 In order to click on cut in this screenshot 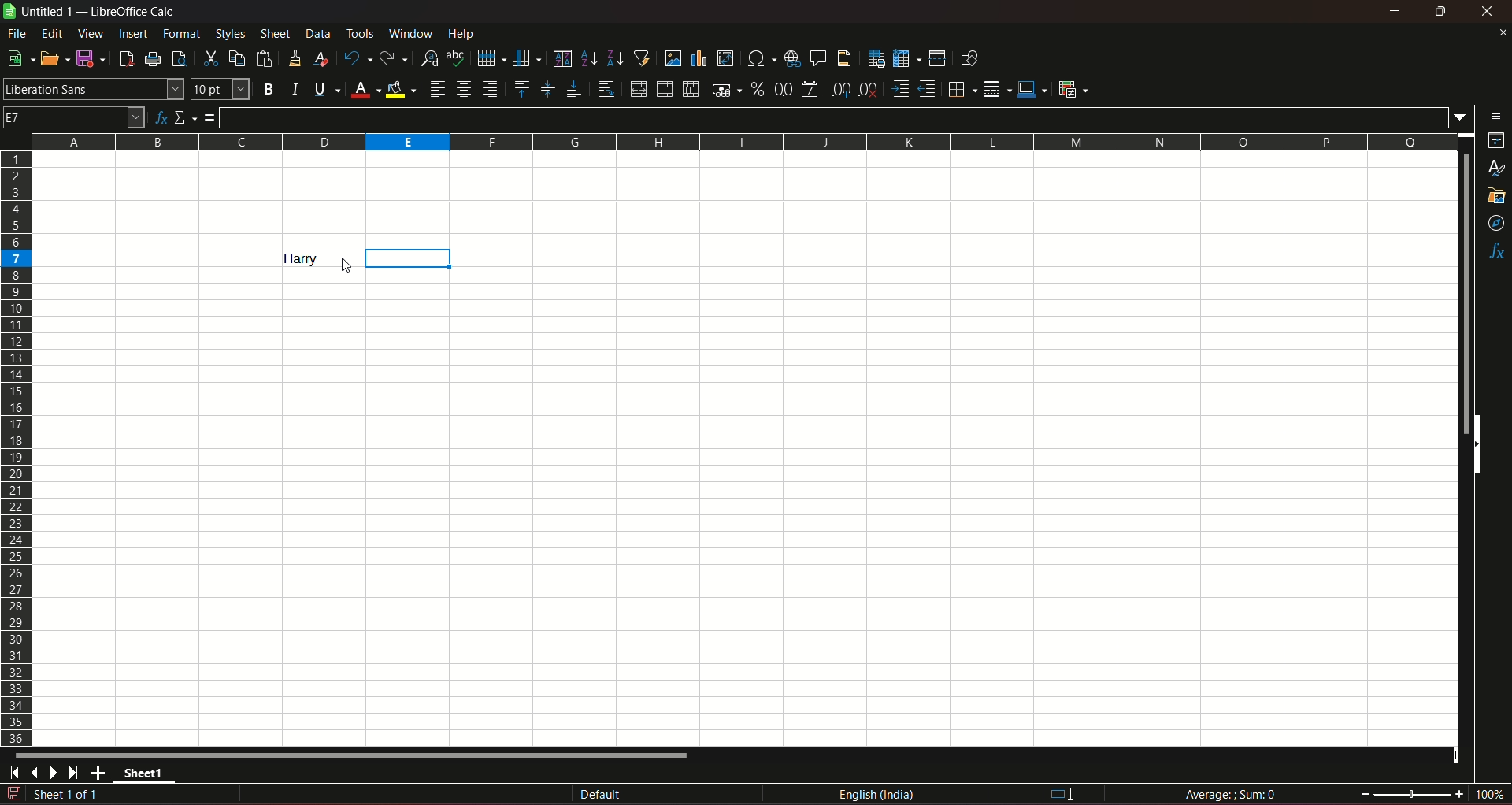, I will do `click(209, 58)`.